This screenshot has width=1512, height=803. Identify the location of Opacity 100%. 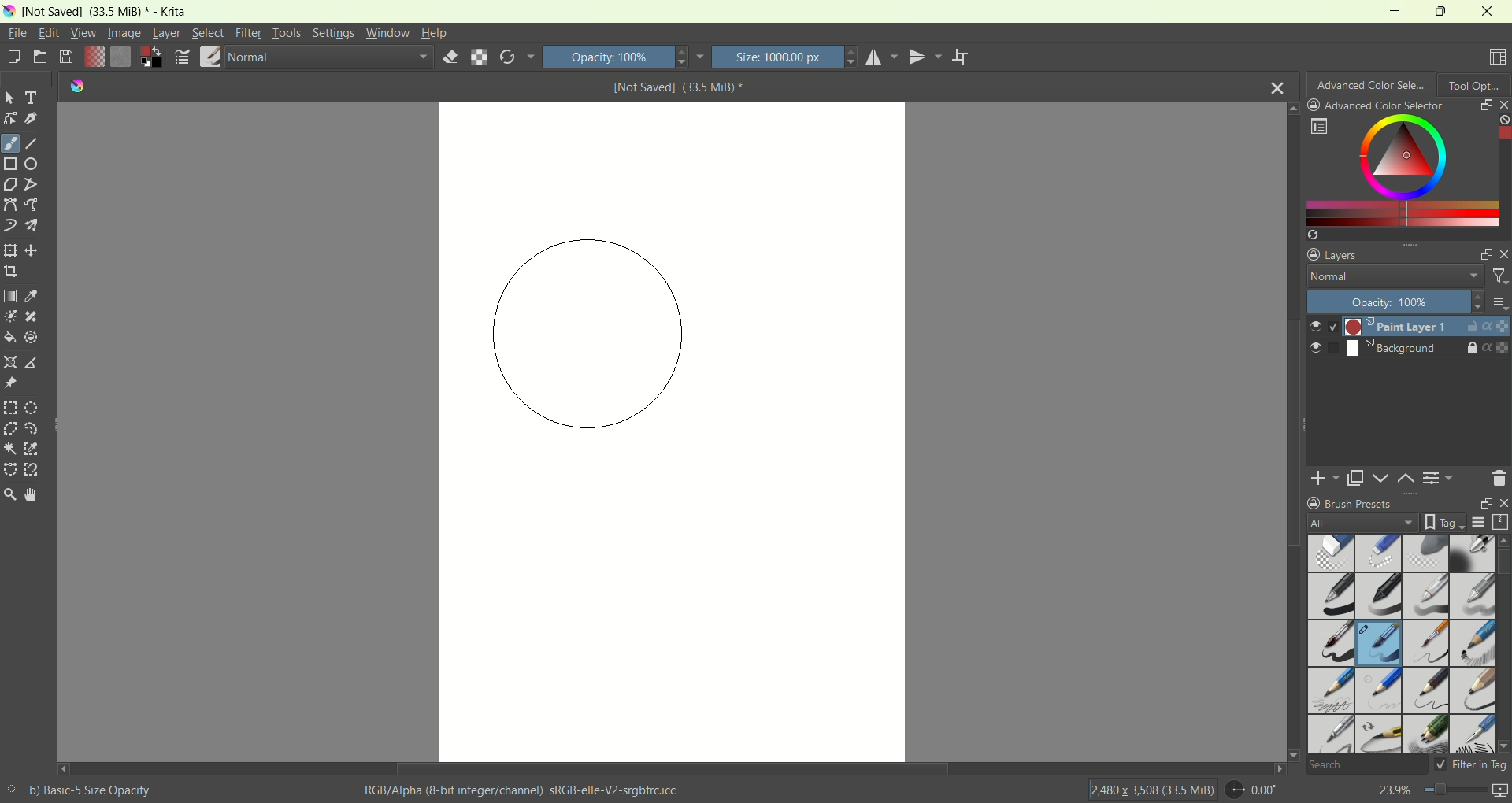
(1391, 302).